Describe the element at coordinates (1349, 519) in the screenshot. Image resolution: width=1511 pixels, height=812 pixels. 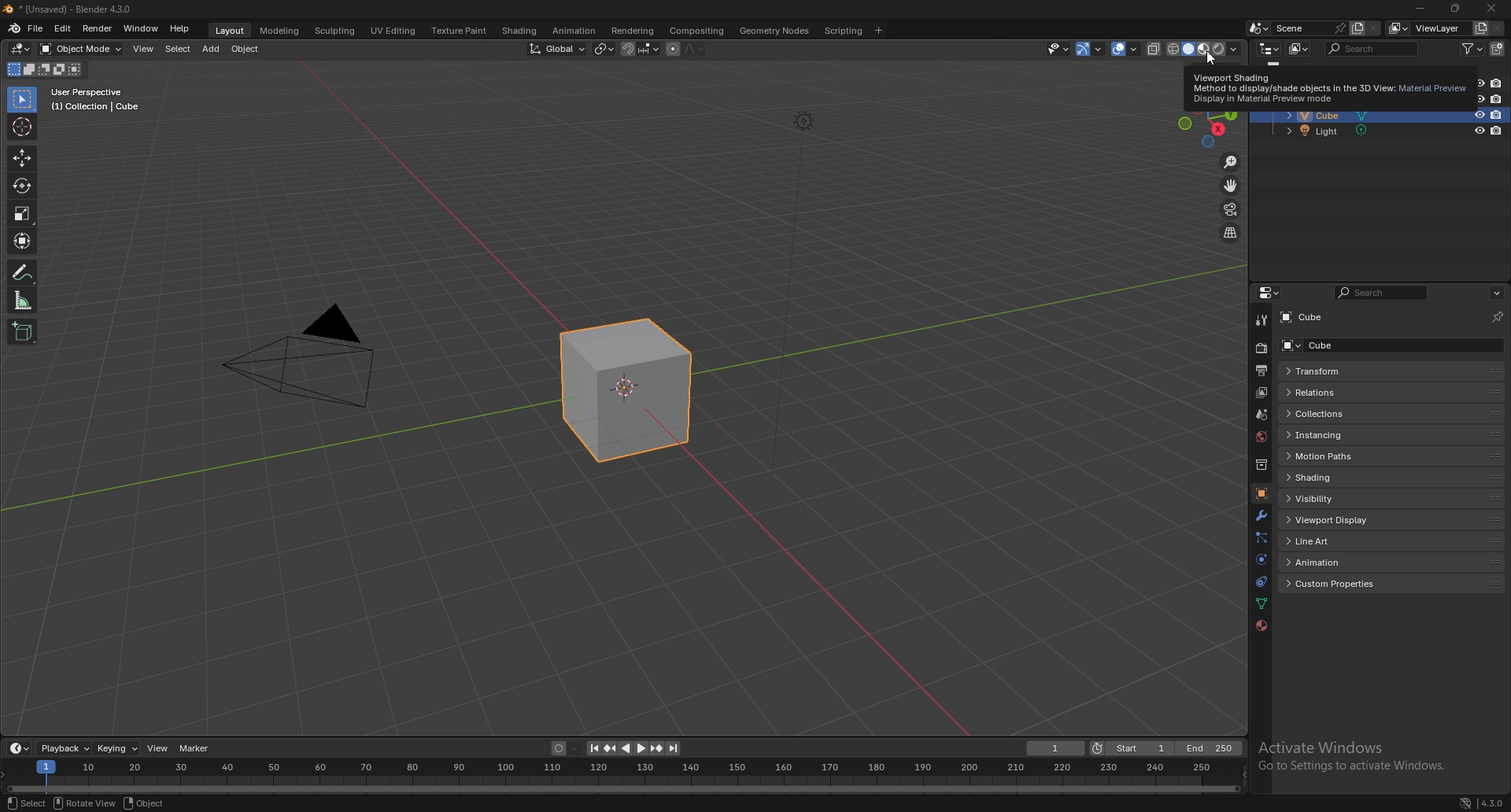
I see `viewport display` at that location.